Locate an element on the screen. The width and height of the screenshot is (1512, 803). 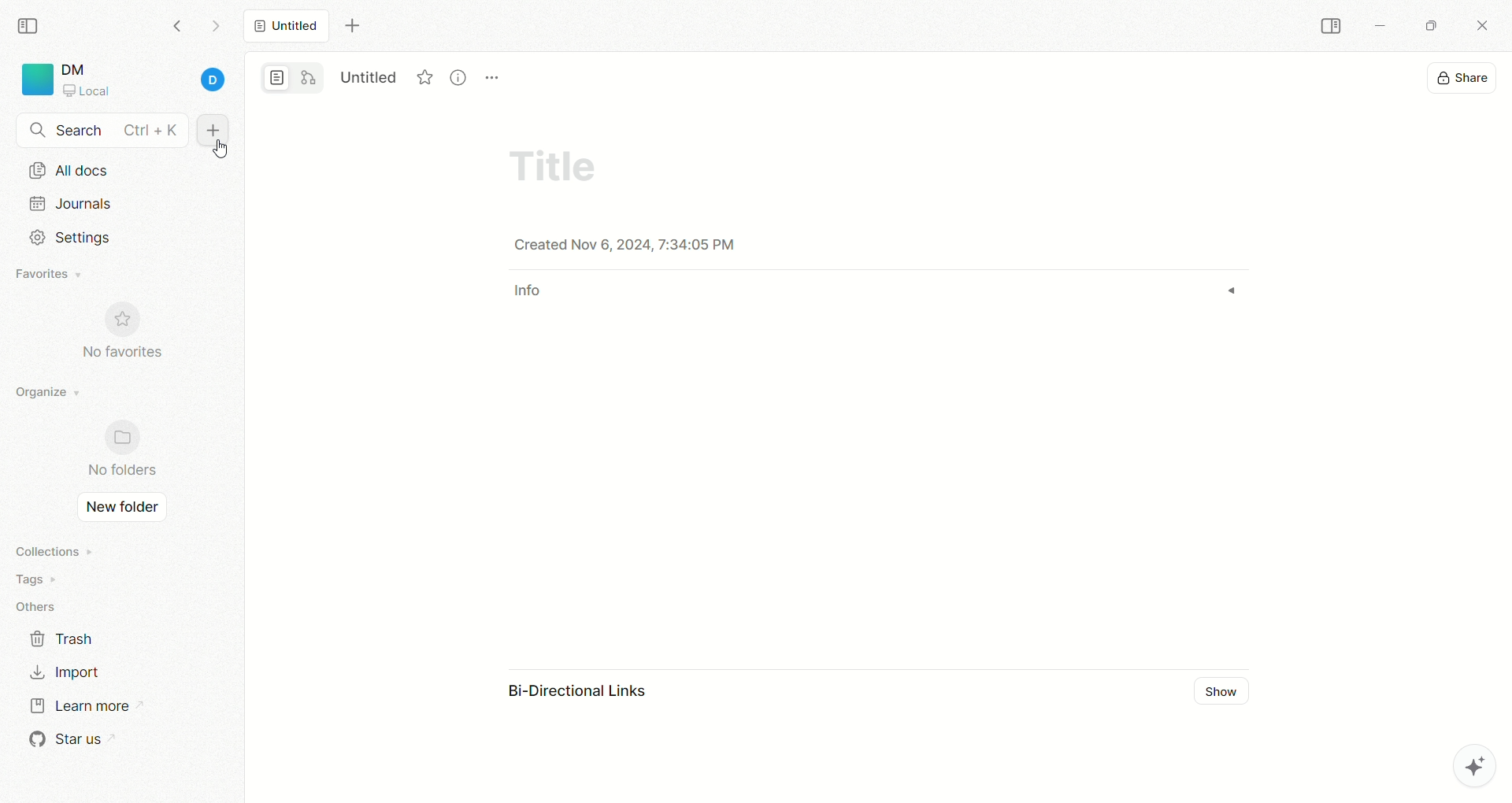
learn more is located at coordinates (78, 704).